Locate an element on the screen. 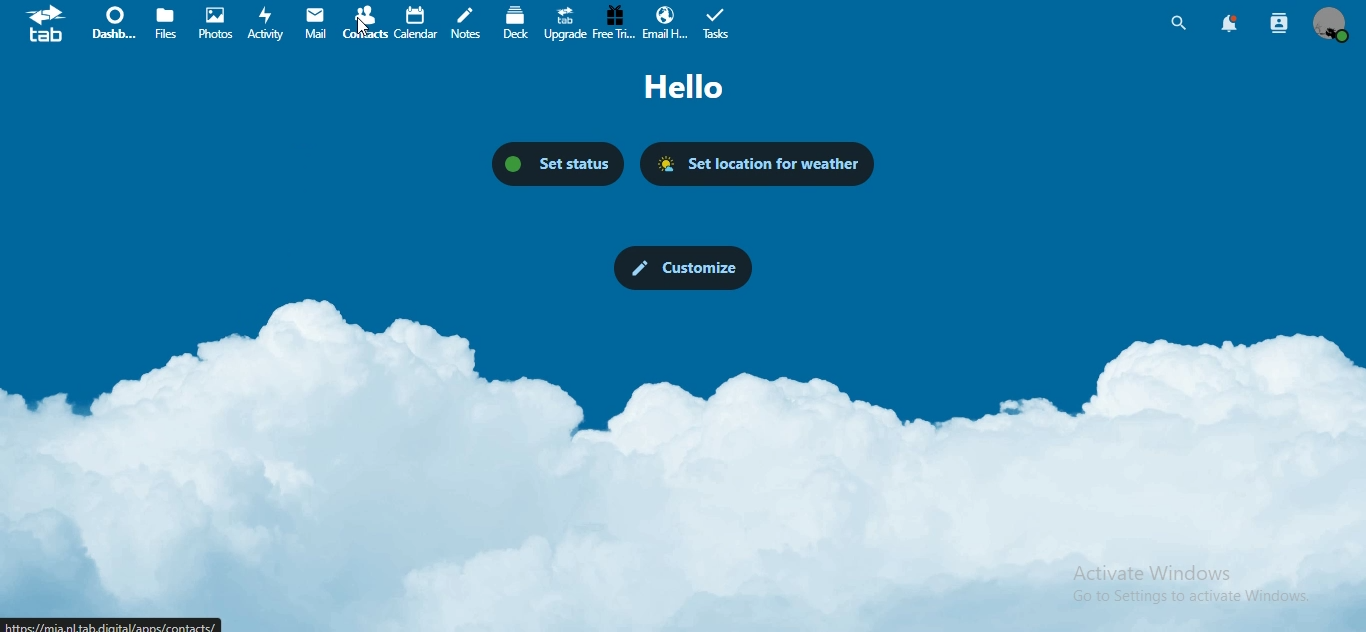 The height and width of the screenshot is (632, 1366). deck is located at coordinates (517, 23).